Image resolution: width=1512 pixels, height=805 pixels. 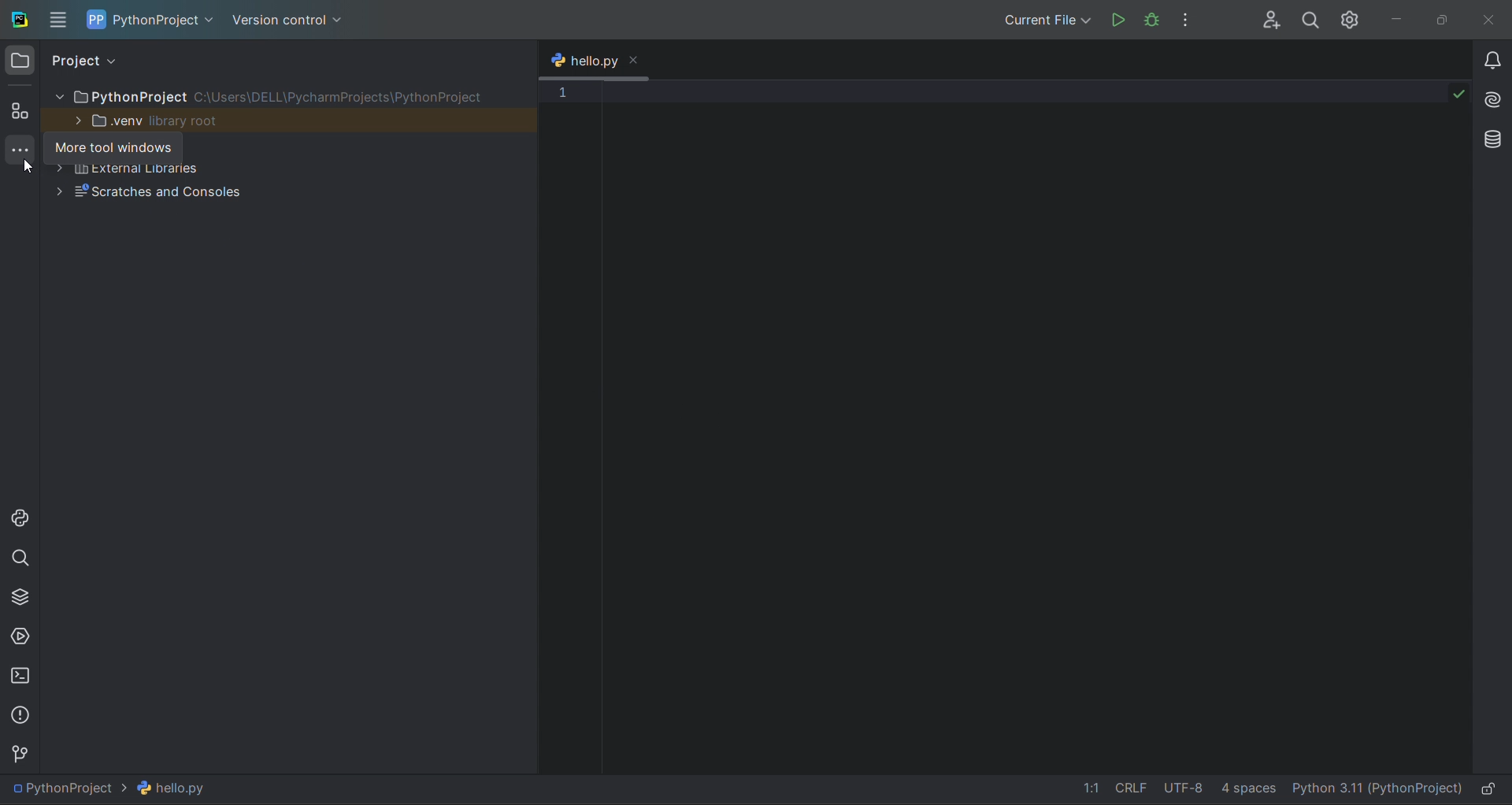 I want to click on options, so click(x=1186, y=19).